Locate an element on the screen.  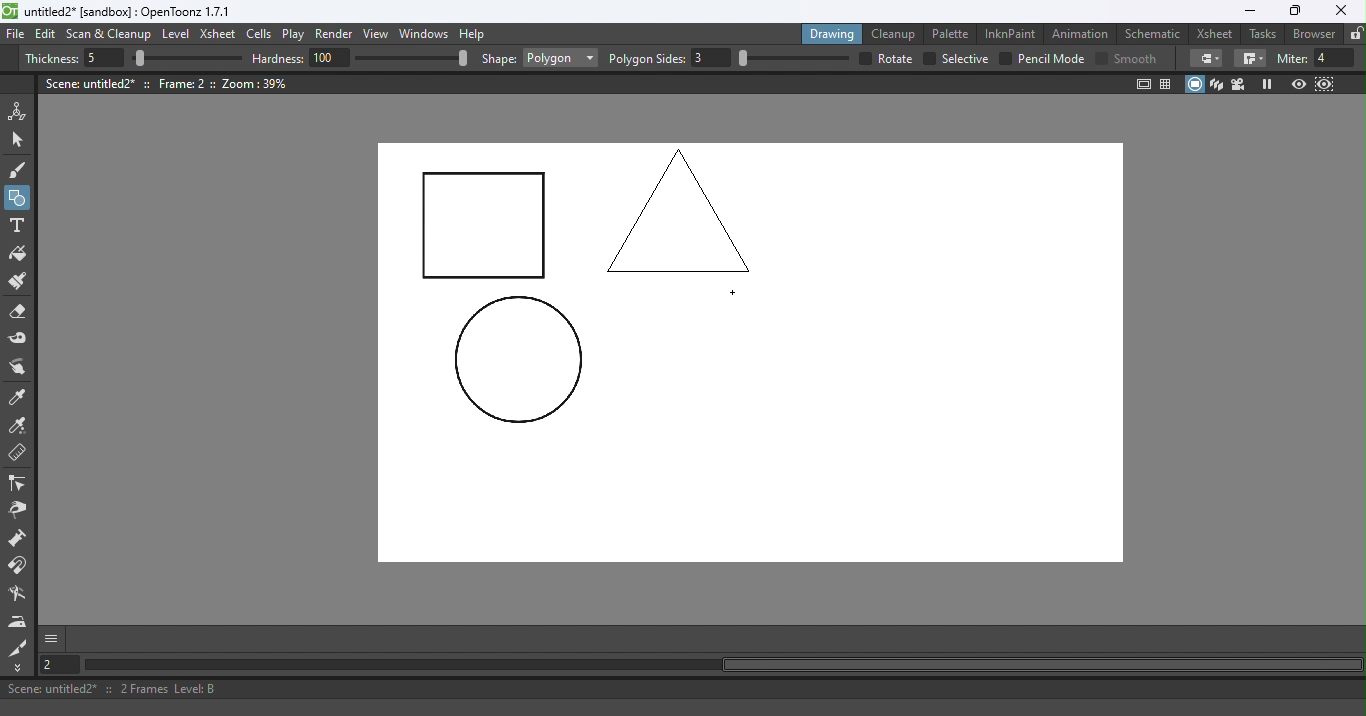
Rectangle  is located at coordinates (560, 58).